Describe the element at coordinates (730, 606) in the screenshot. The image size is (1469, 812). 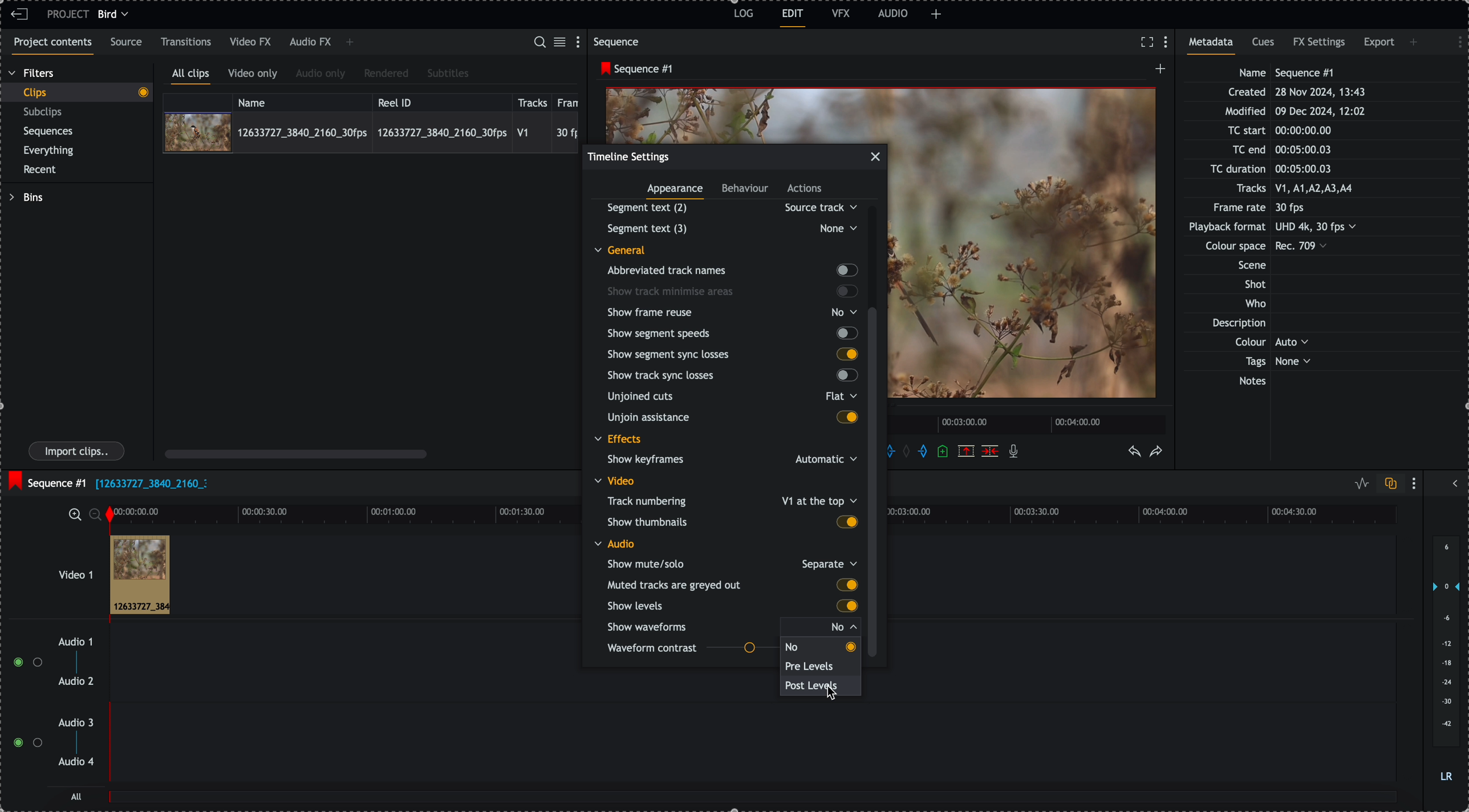
I see `show levels` at that location.